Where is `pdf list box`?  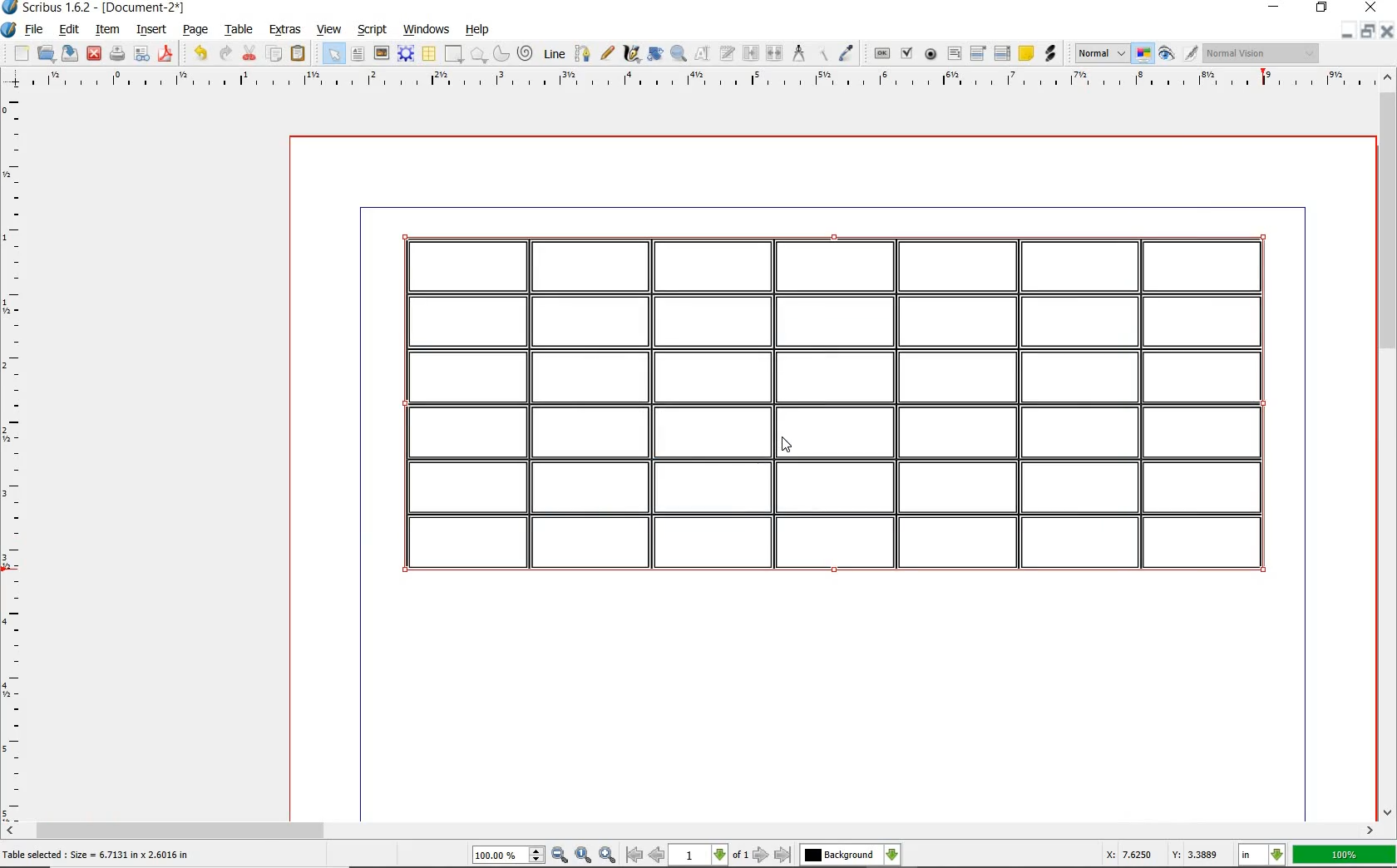 pdf list box is located at coordinates (1003, 52).